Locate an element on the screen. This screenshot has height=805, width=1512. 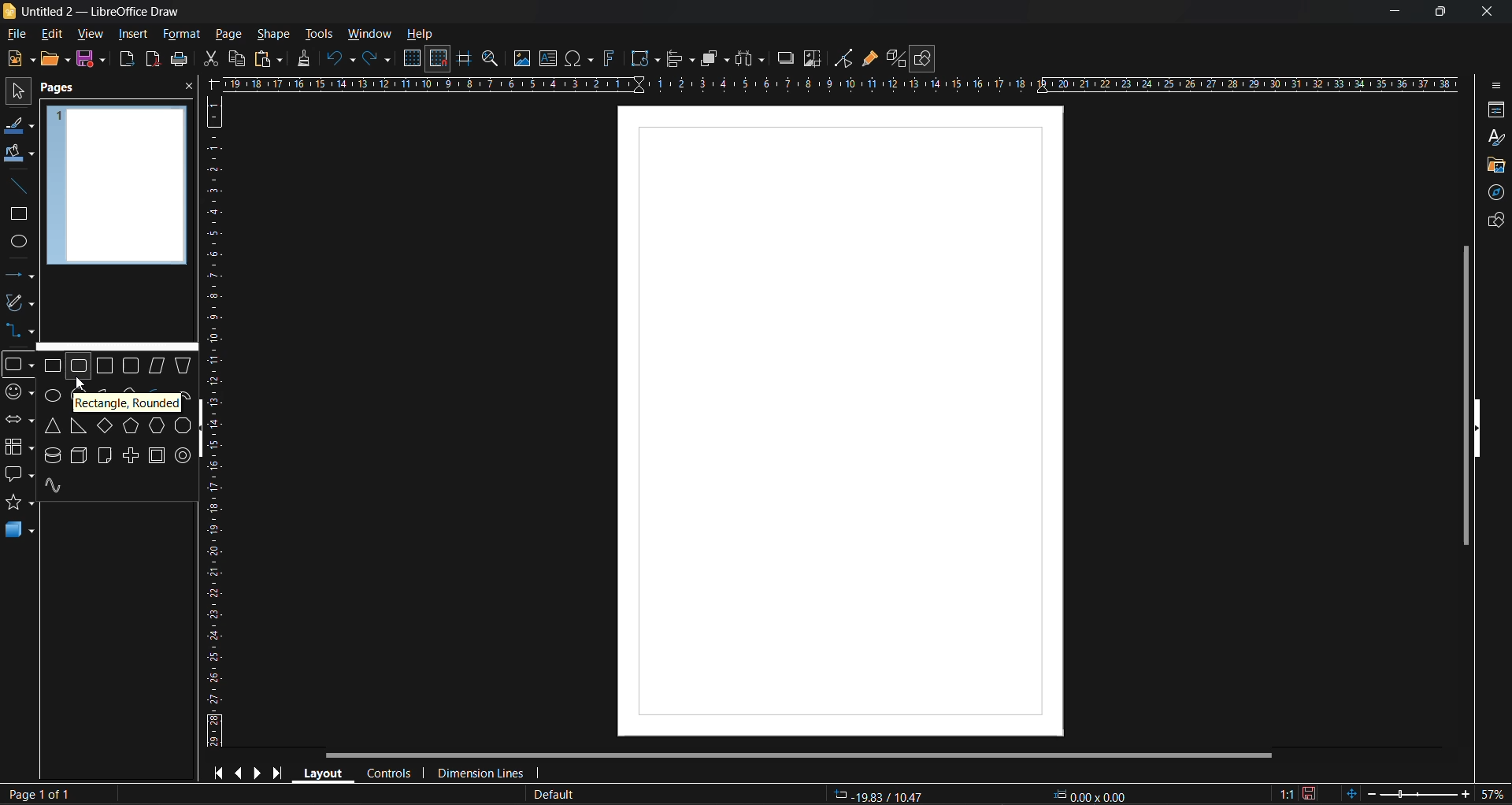
snap to grid is located at coordinates (439, 59).